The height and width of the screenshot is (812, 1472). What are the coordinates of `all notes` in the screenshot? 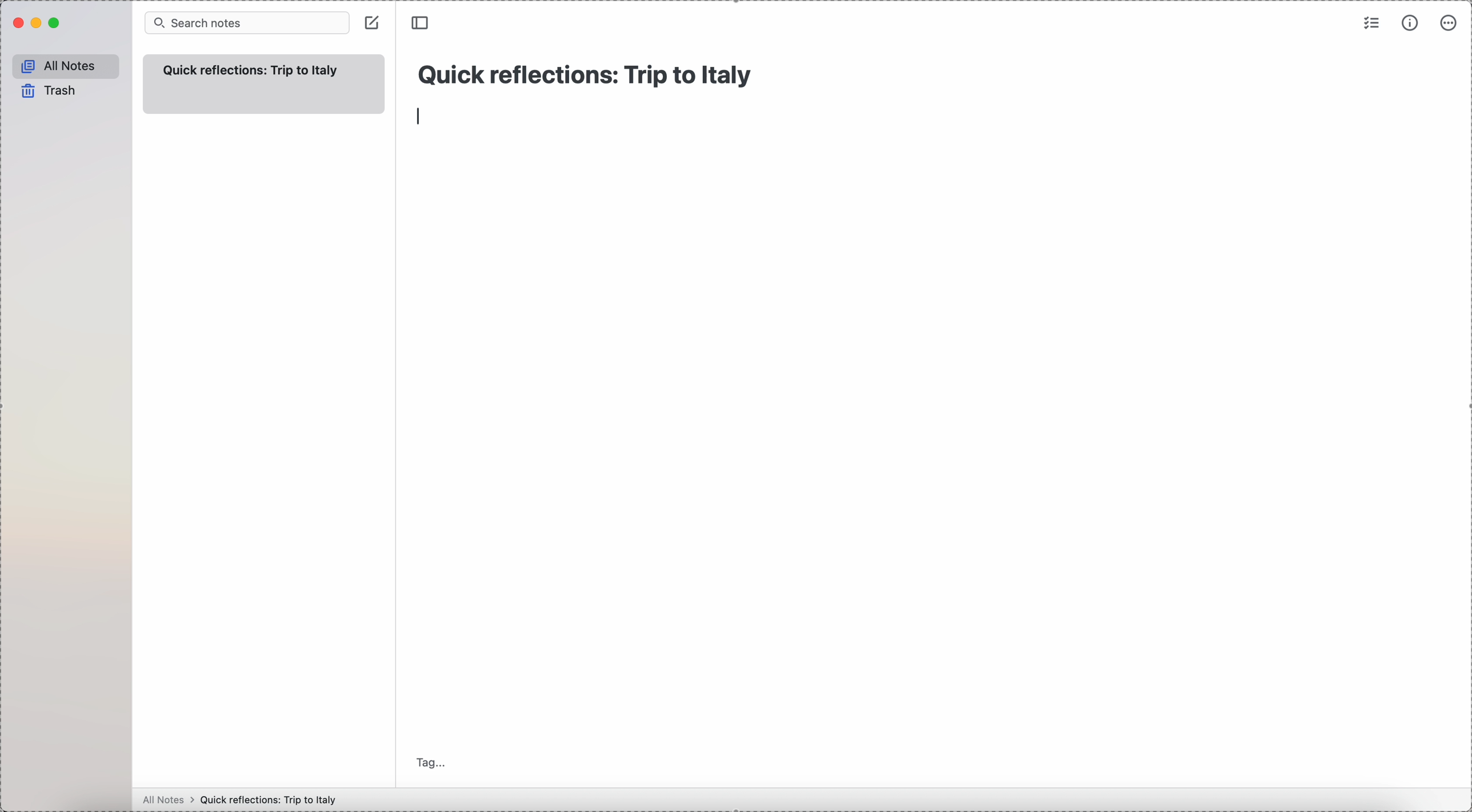 It's located at (63, 65).